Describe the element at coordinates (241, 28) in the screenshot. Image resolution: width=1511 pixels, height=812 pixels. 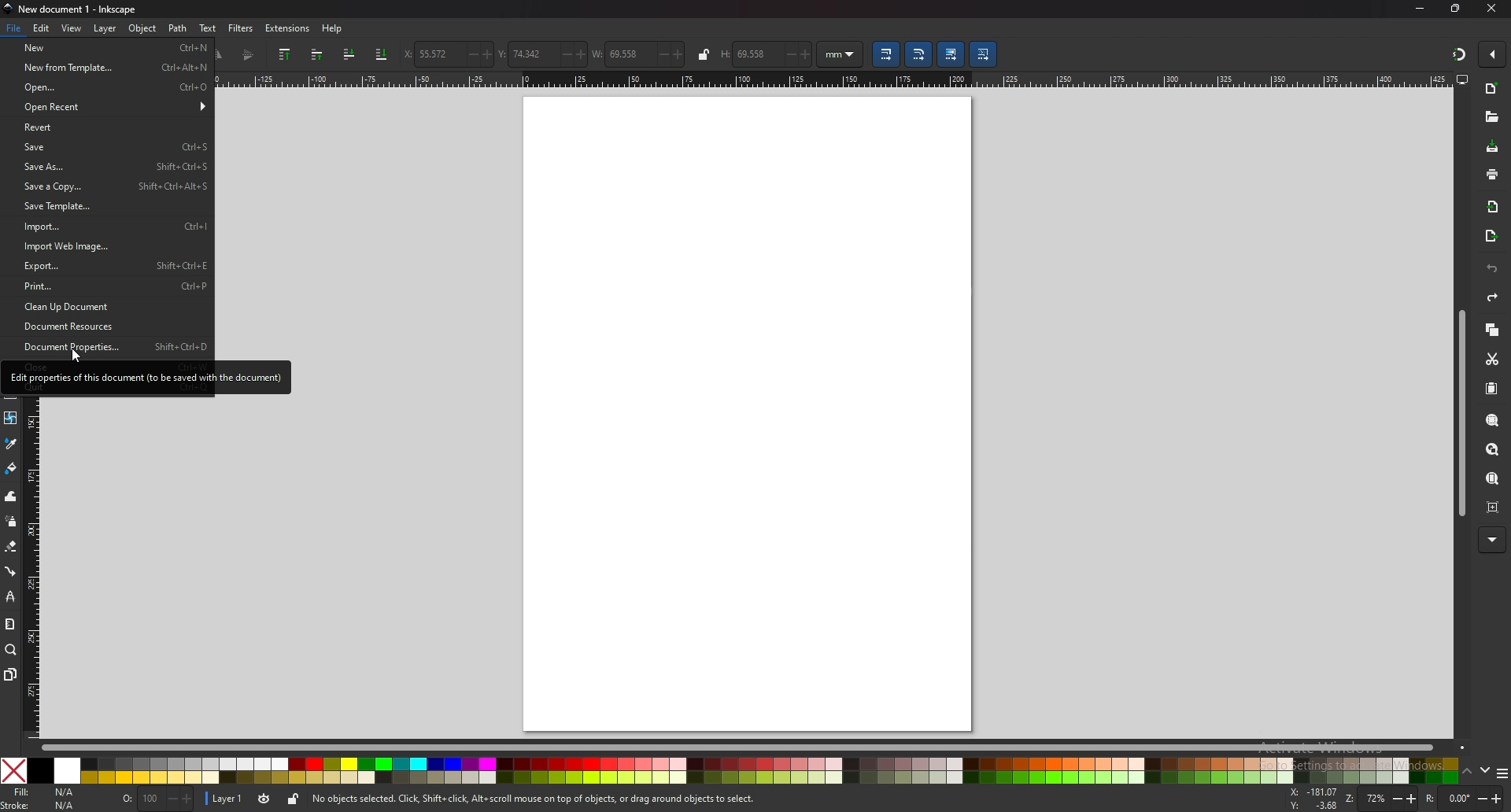
I see `filters` at that location.